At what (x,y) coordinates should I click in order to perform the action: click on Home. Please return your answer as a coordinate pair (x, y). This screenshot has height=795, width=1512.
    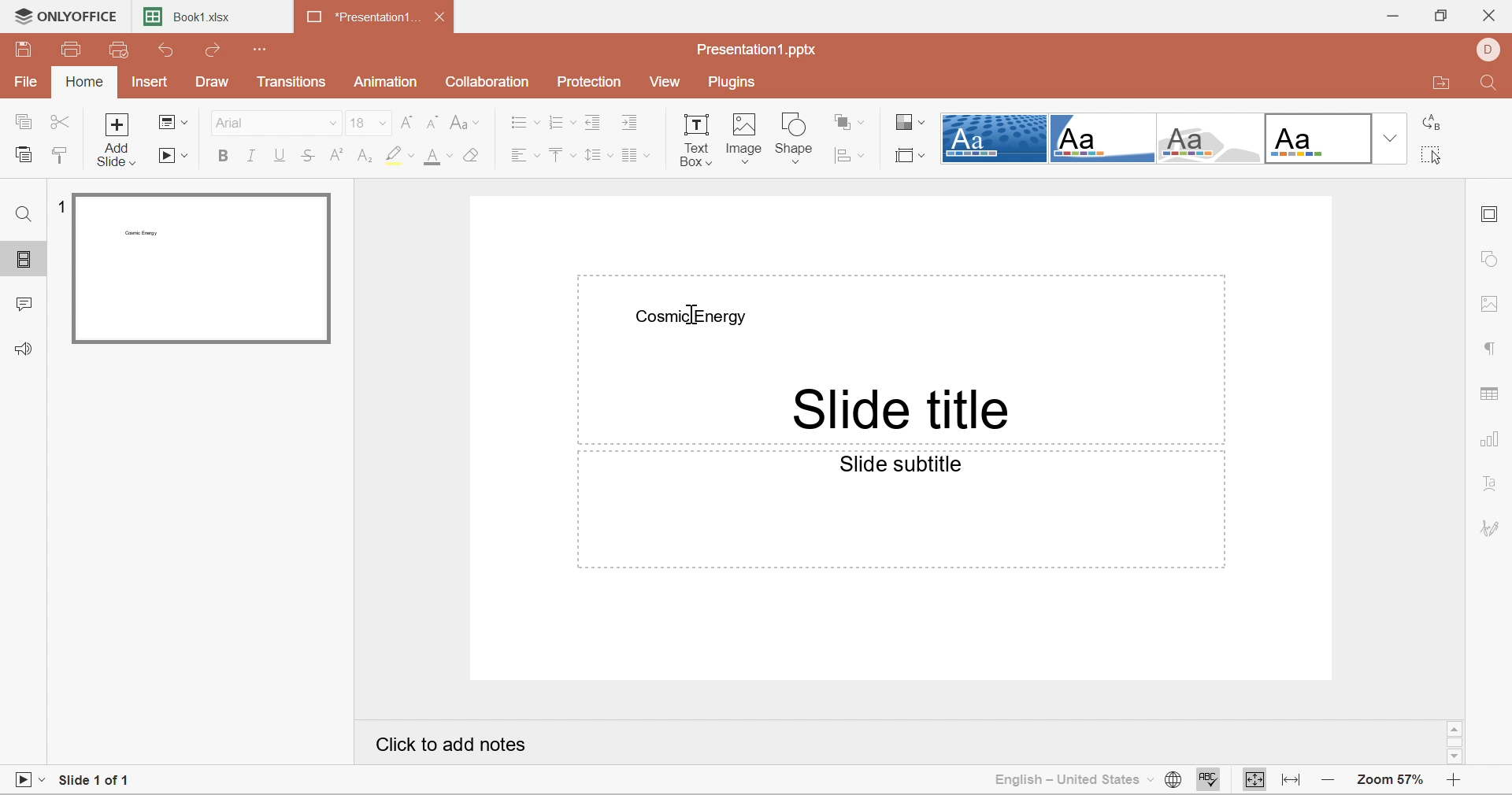
    Looking at the image, I should click on (86, 83).